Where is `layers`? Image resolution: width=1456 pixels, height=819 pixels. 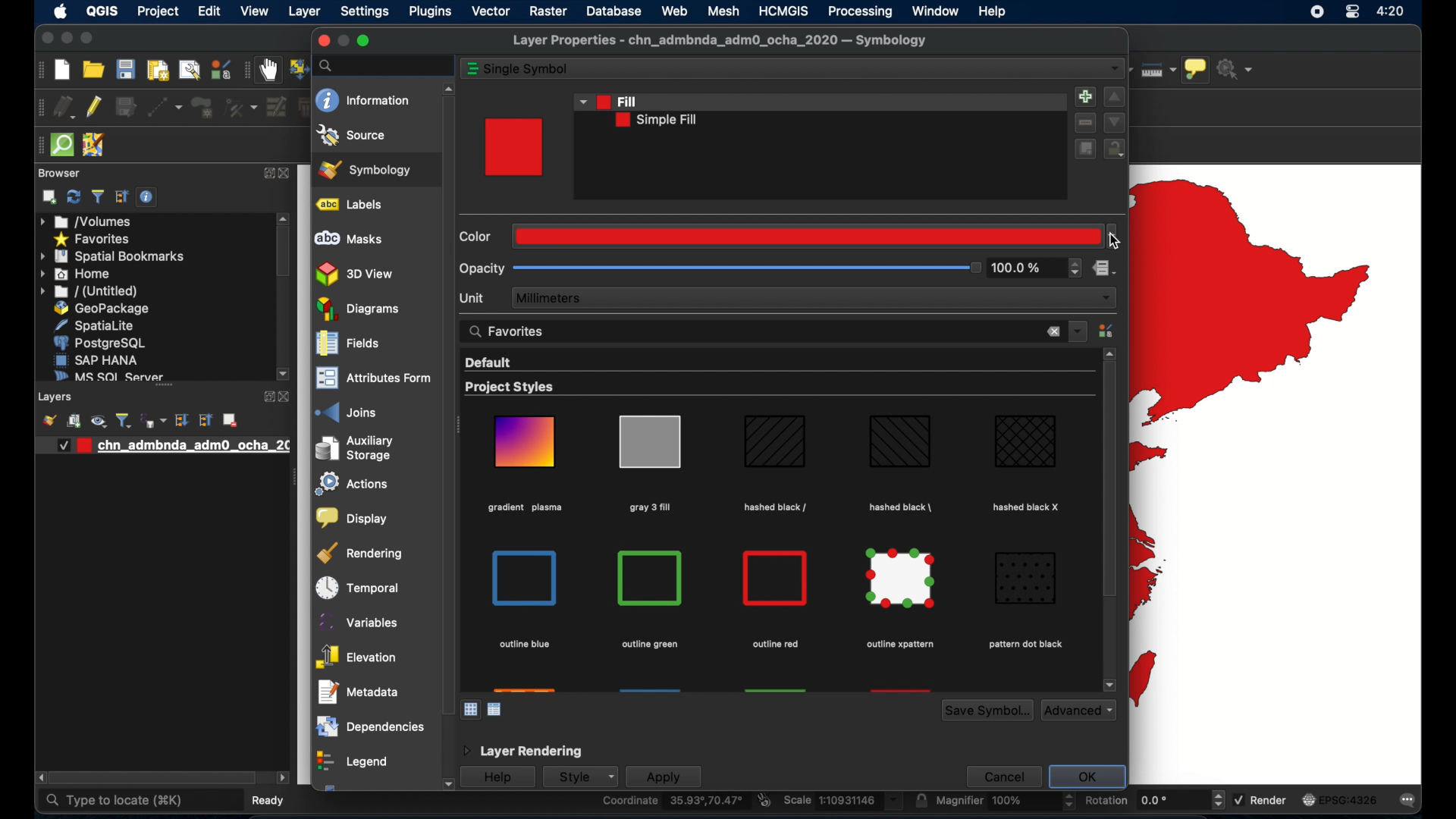 layers is located at coordinates (57, 397).